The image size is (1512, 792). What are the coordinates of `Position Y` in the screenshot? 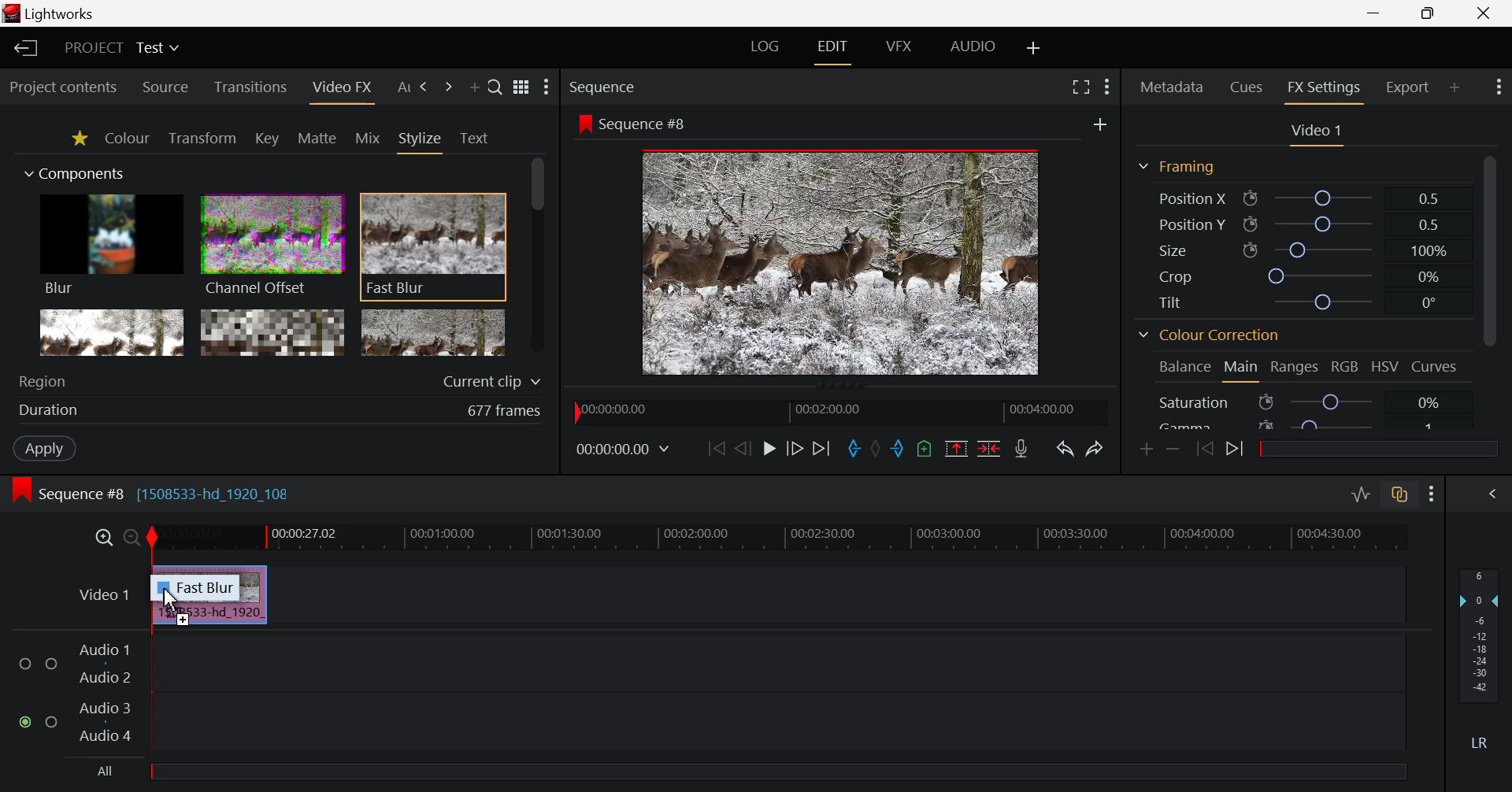 It's located at (1304, 224).